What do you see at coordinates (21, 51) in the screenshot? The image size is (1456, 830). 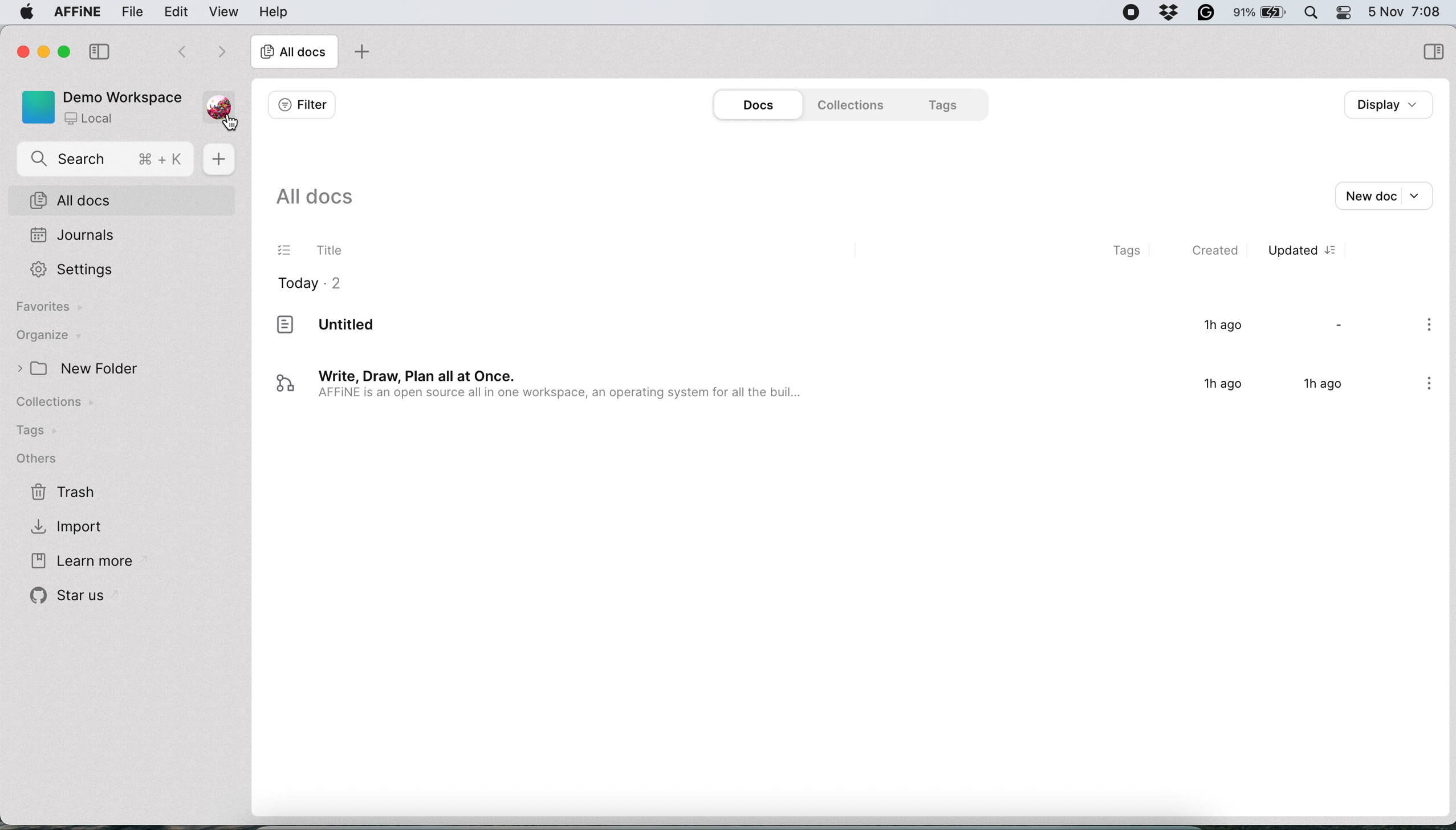 I see `close` at bounding box center [21, 51].